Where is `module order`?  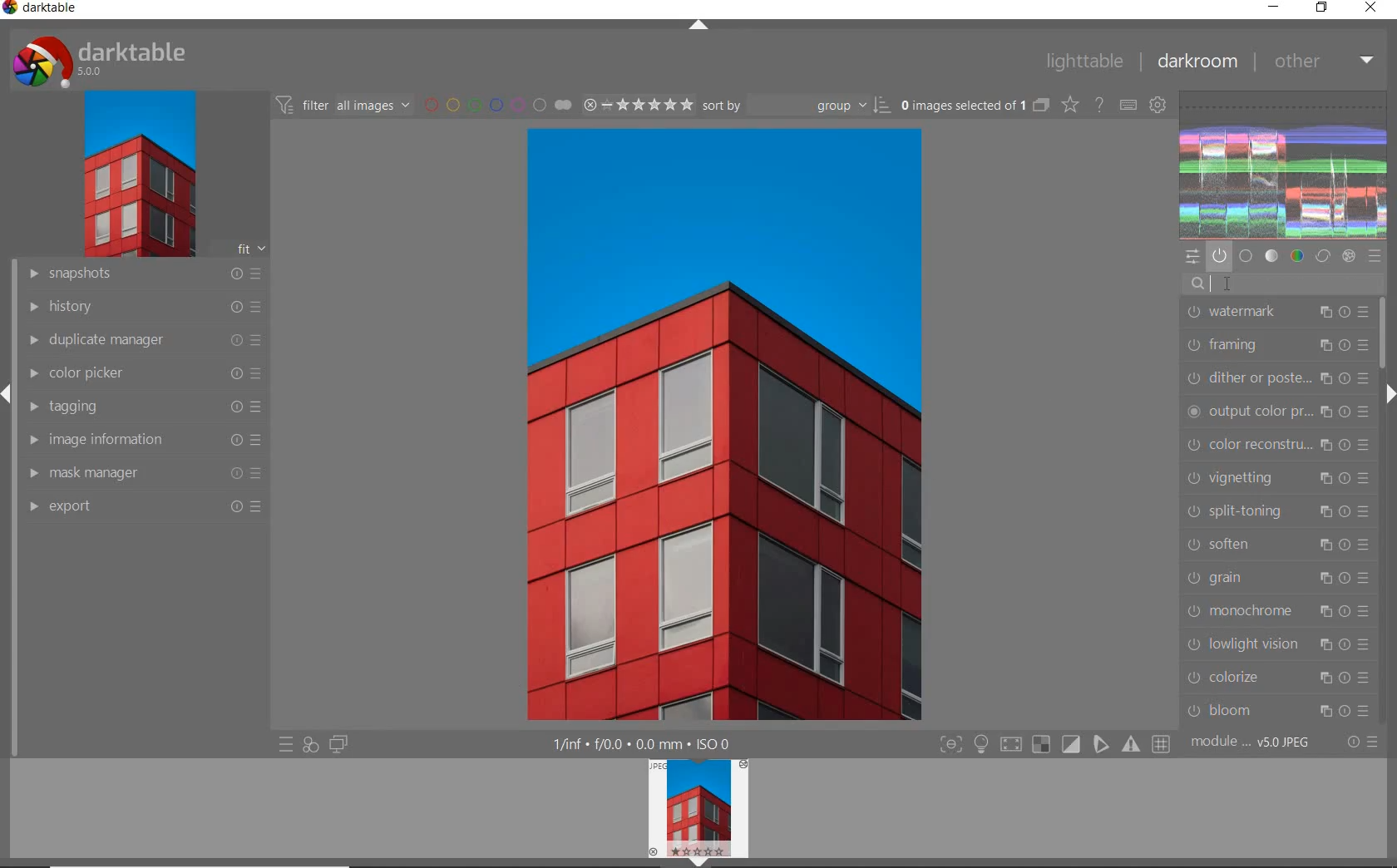
module order is located at coordinates (1252, 742).